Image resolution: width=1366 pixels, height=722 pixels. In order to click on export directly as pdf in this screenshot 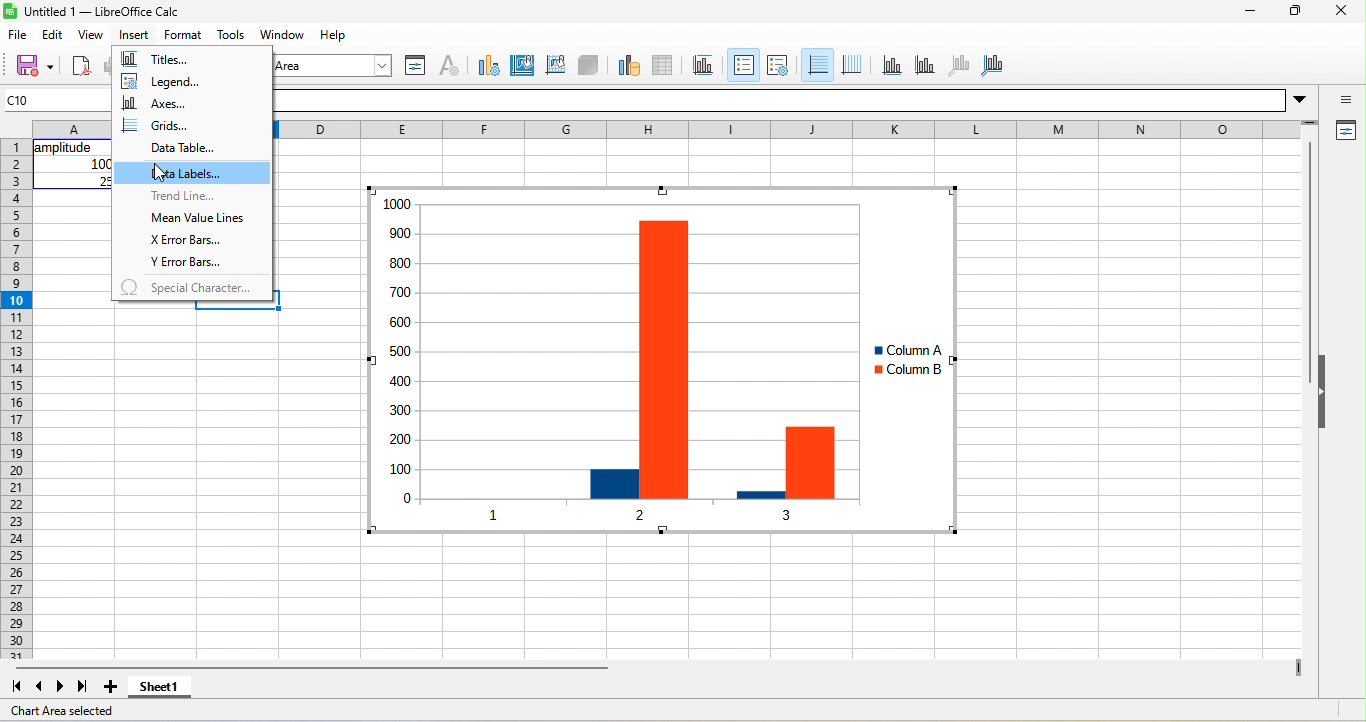, I will do `click(81, 67)`.